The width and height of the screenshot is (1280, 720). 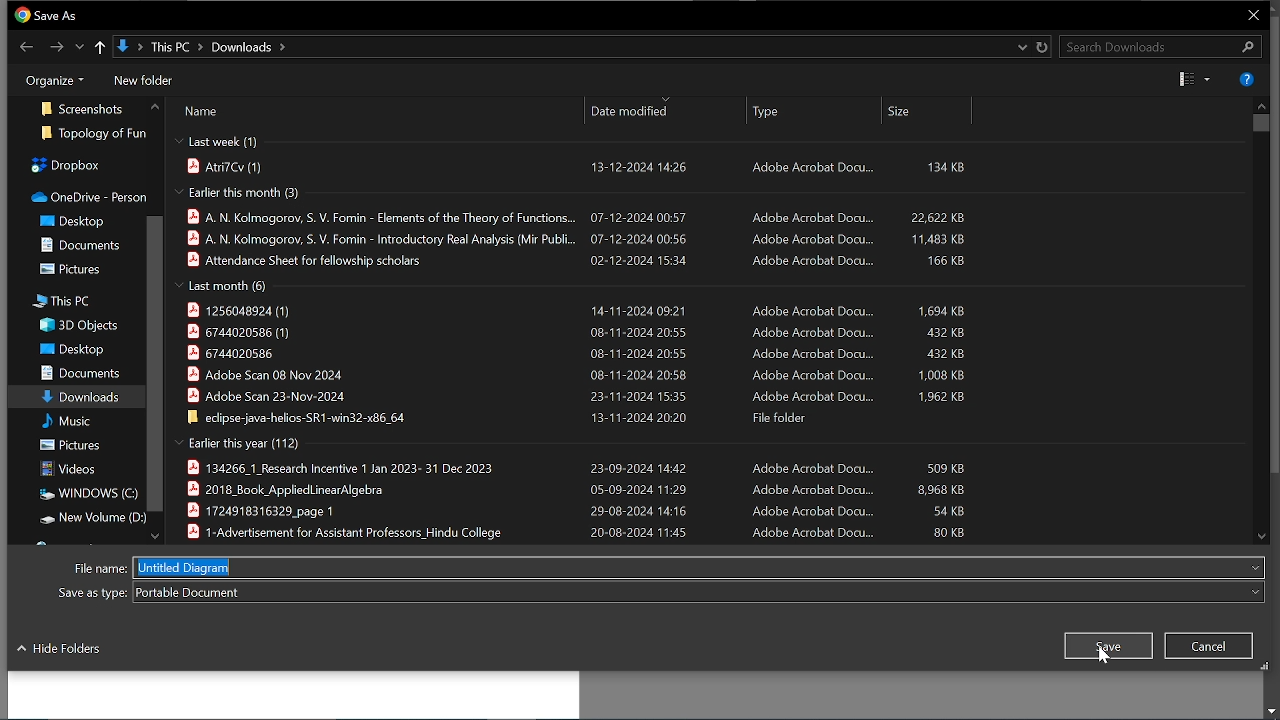 What do you see at coordinates (636, 511) in the screenshot?
I see `29-08-2024 14:16` at bounding box center [636, 511].